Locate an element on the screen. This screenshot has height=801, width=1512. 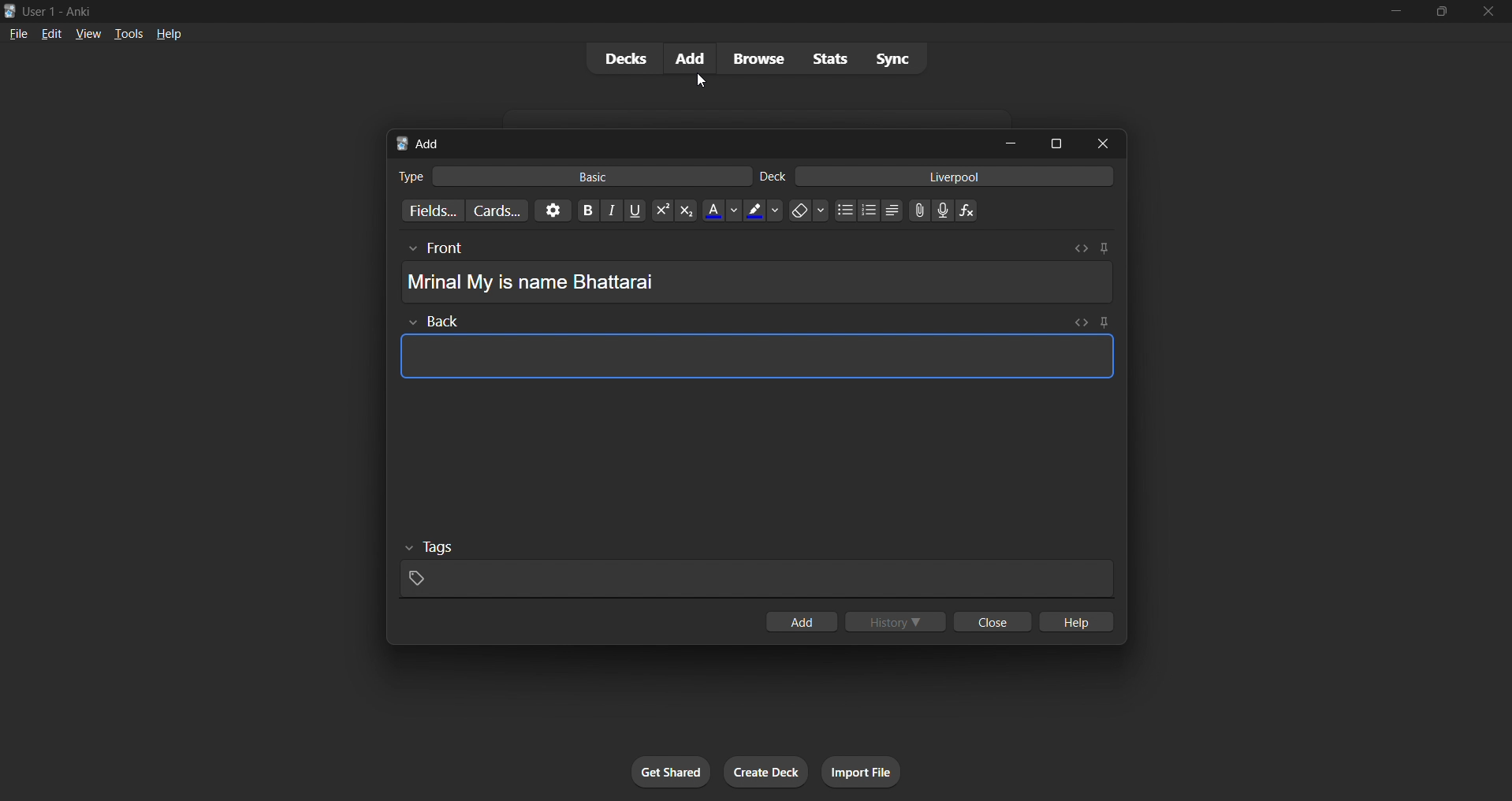
sub script is located at coordinates (685, 210).